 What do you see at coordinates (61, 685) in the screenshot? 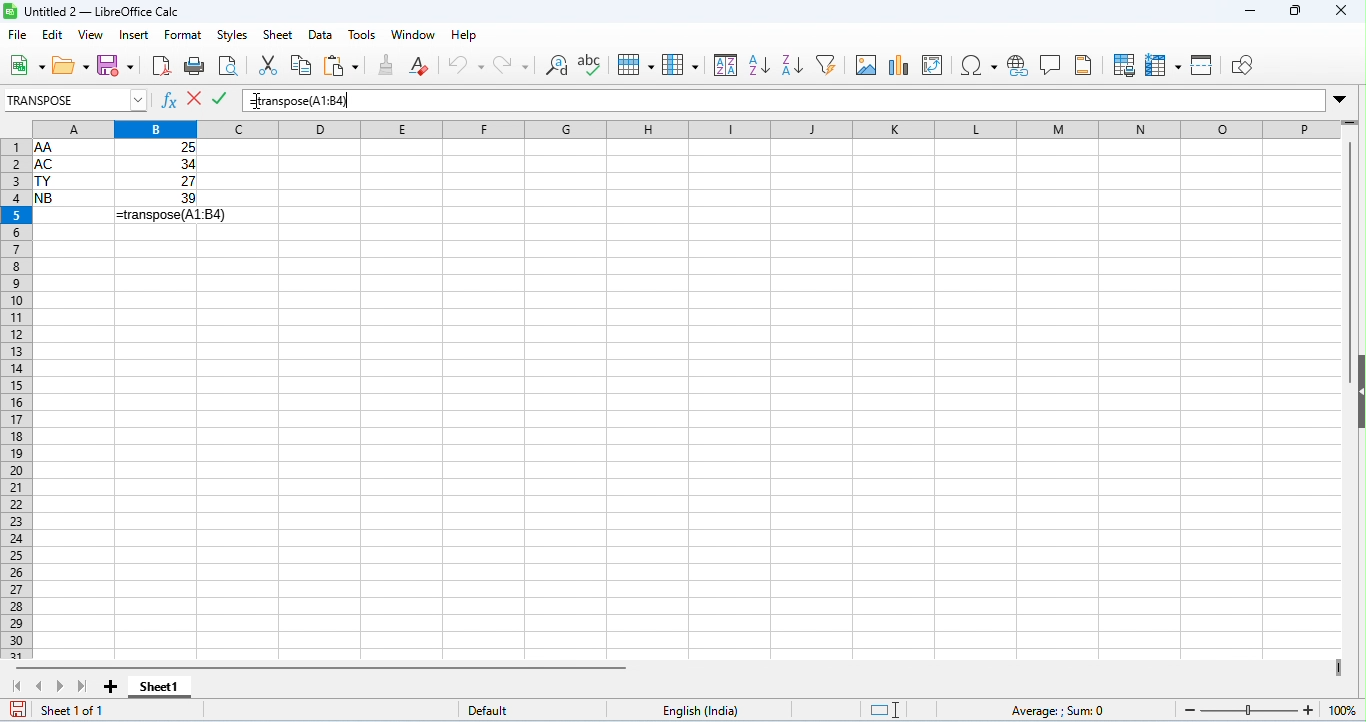
I see `next` at bounding box center [61, 685].